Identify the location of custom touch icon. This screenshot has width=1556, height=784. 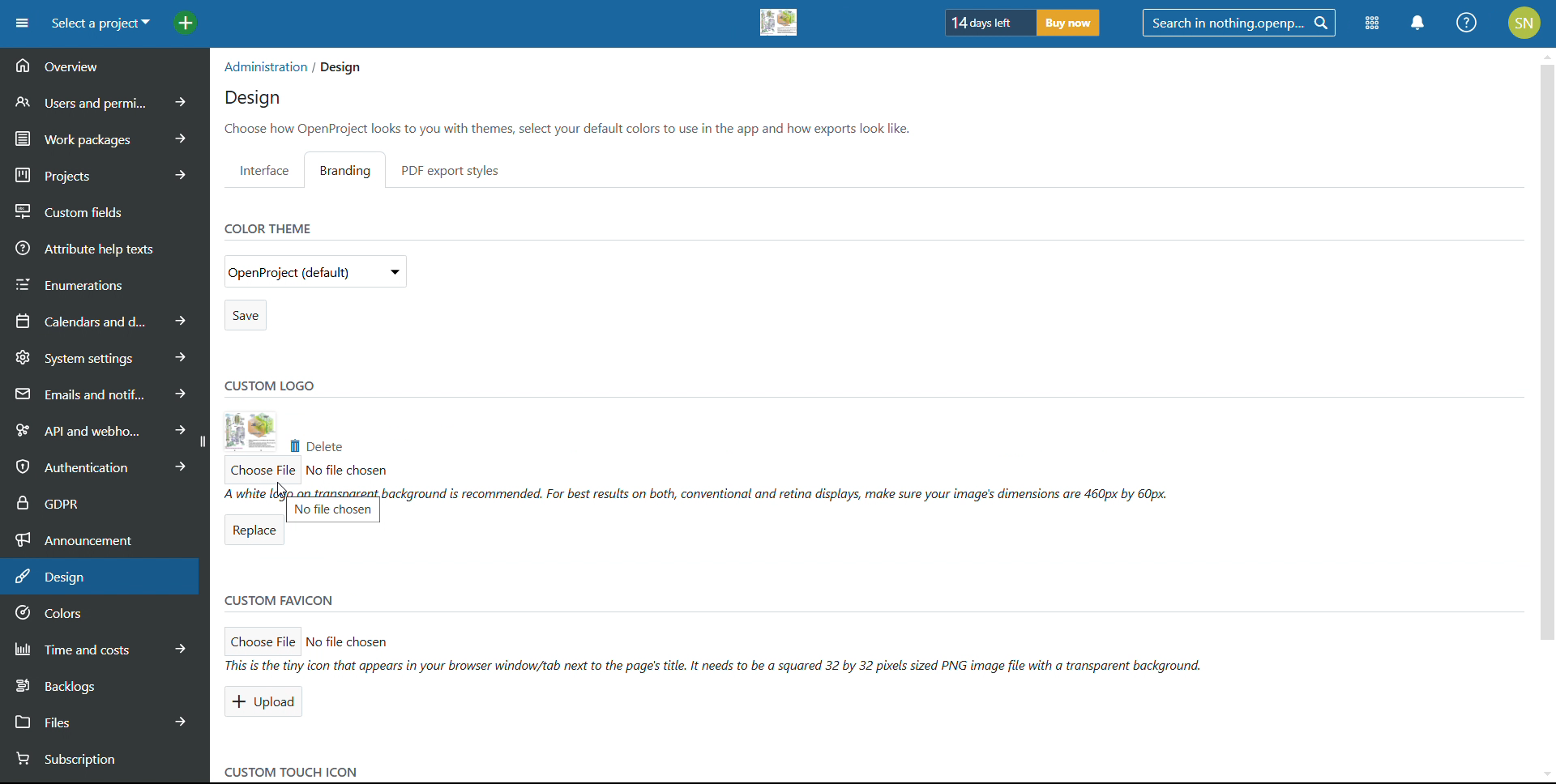
(289, 772).